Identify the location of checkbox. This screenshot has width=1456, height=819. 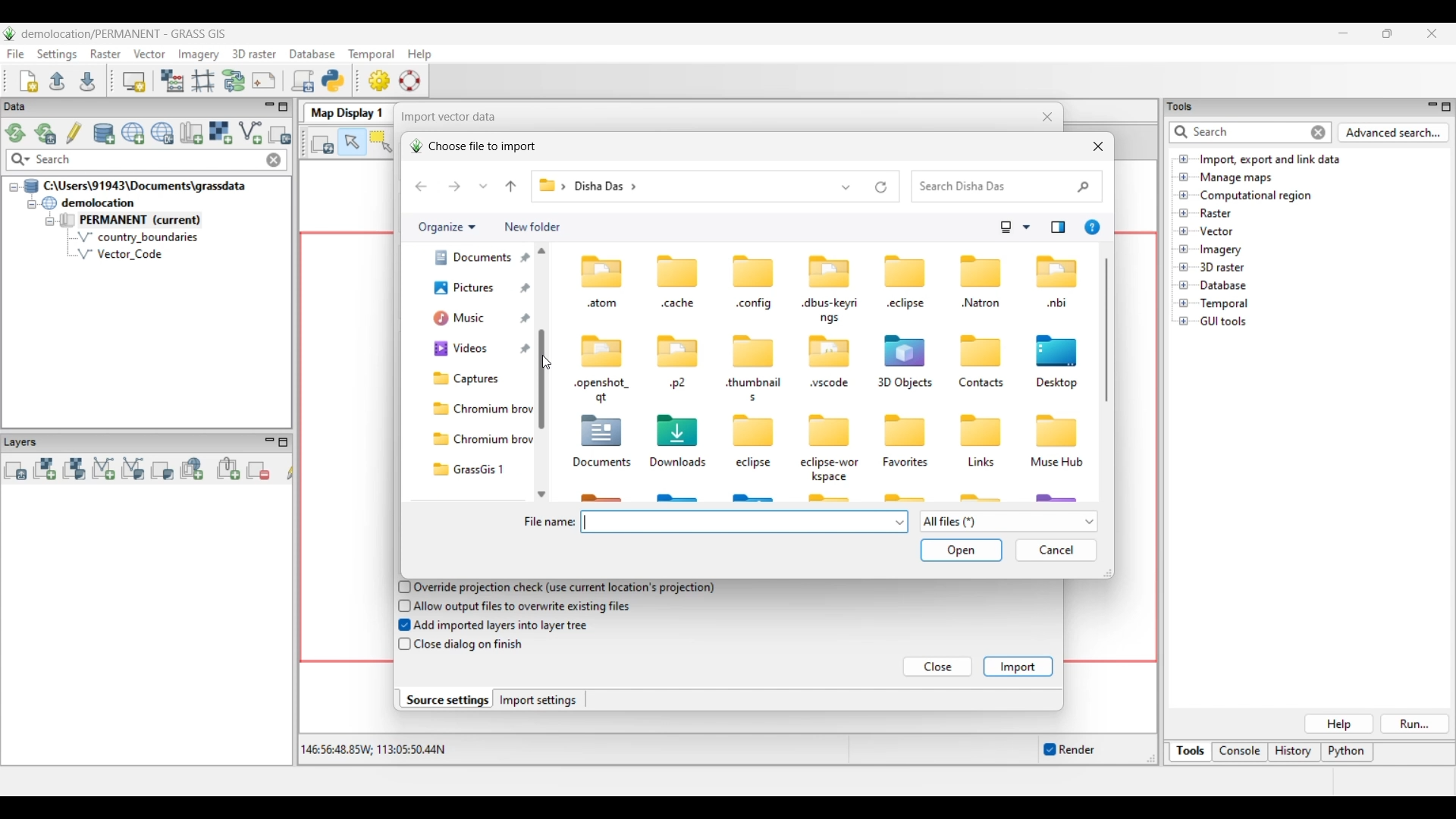
(401, 586).